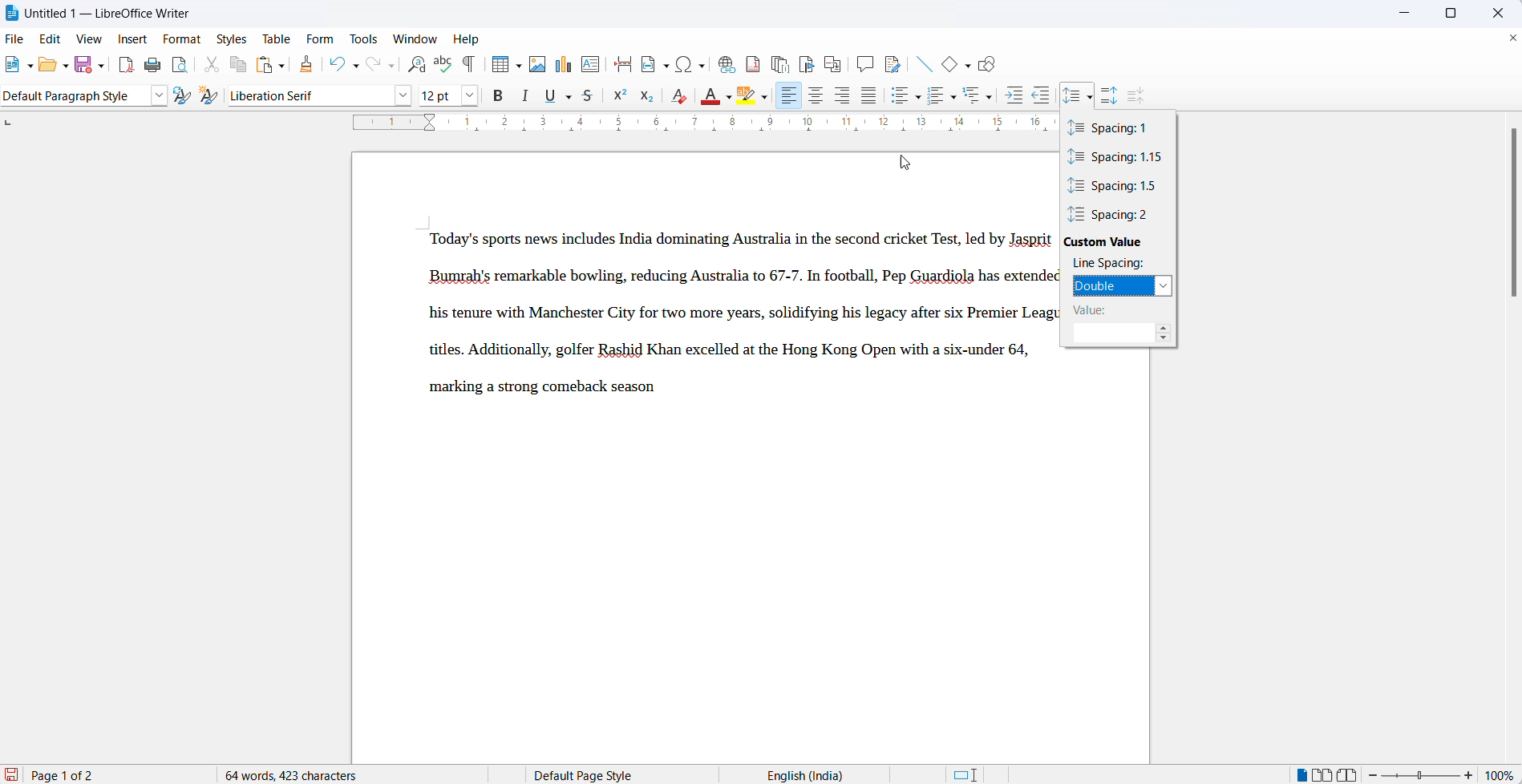 Image resolution: width=1522 pixels, height=784 pixels. I want to click on zoom slider, so click(1420, 775).